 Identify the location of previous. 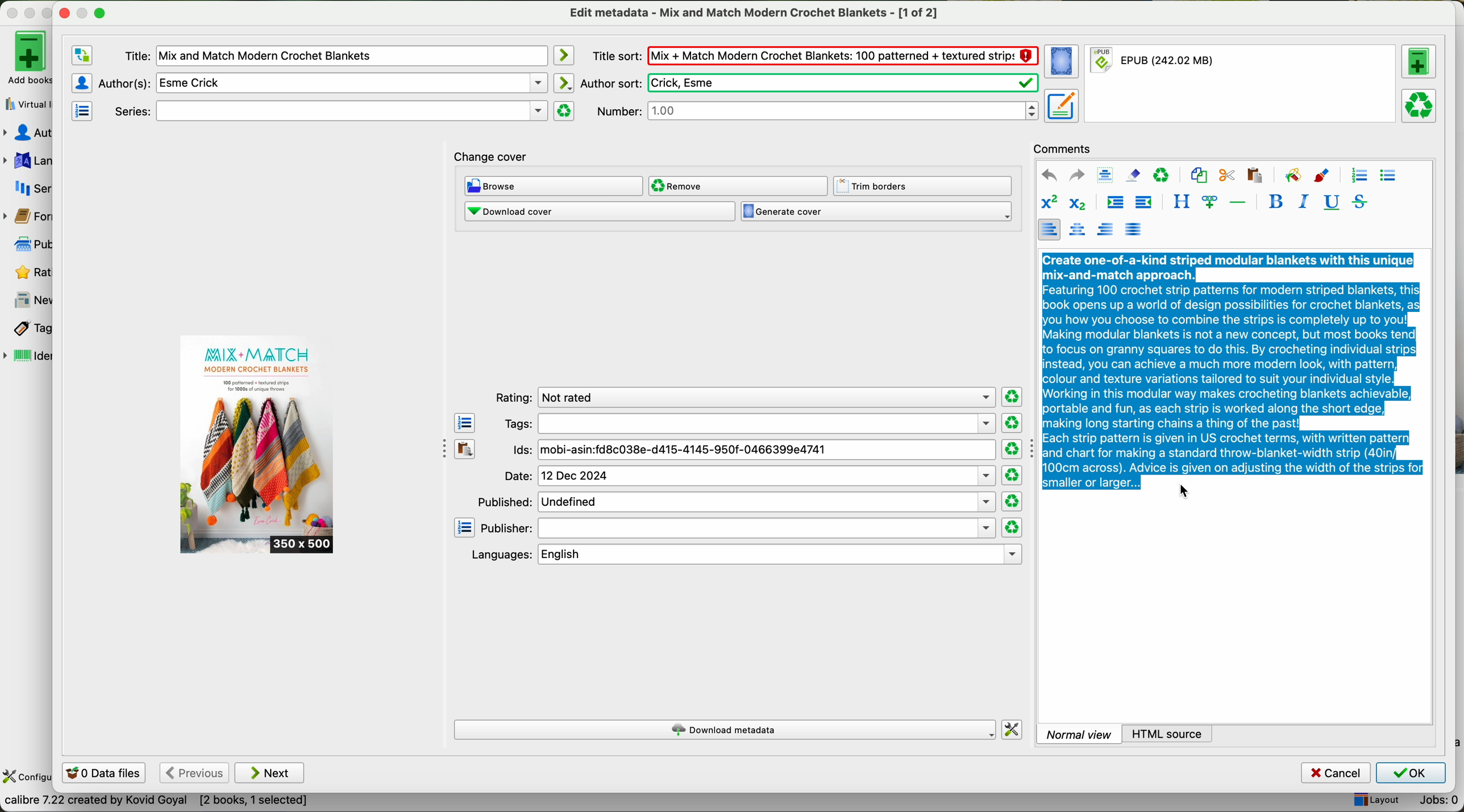
(193, 773).